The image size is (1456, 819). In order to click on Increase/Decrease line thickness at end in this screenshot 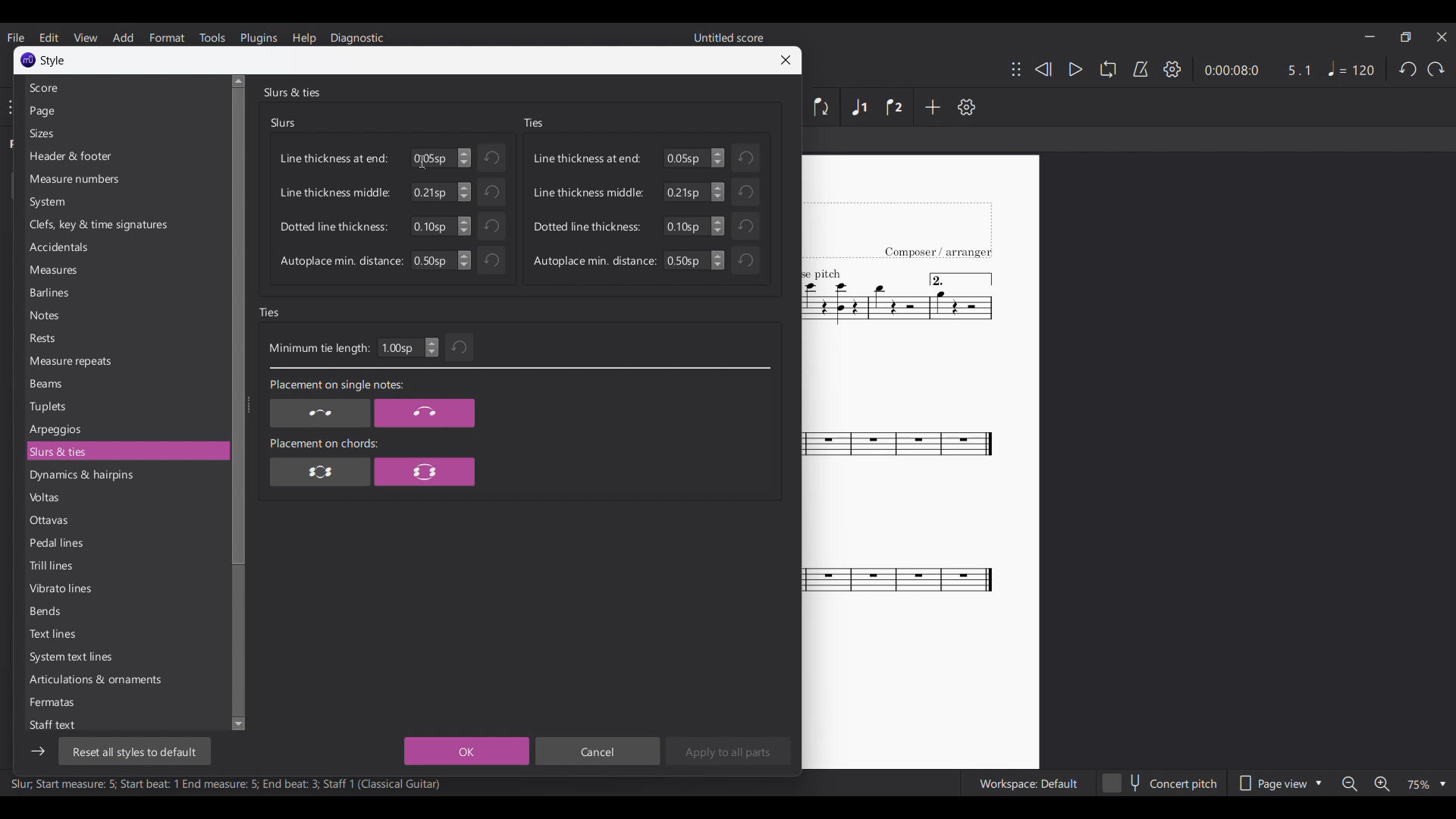, I will do `click(465, 158)`.